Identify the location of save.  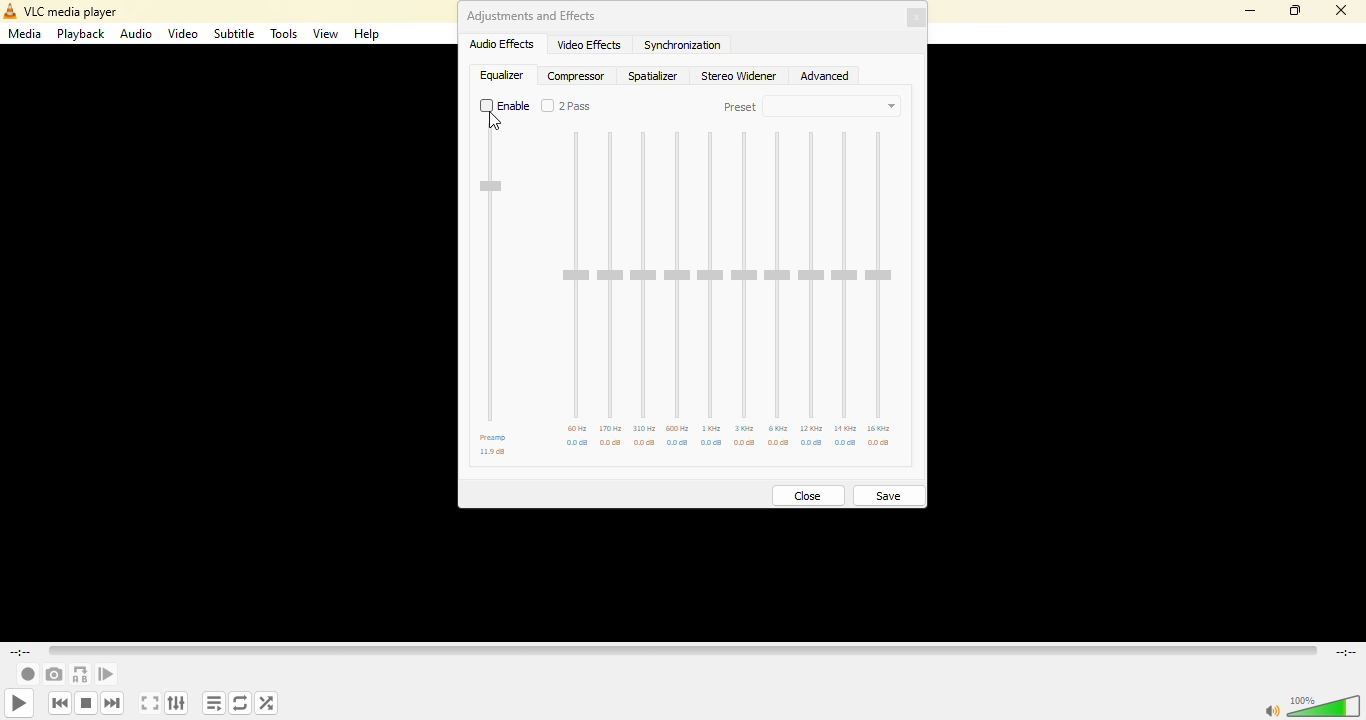
(889, 493).